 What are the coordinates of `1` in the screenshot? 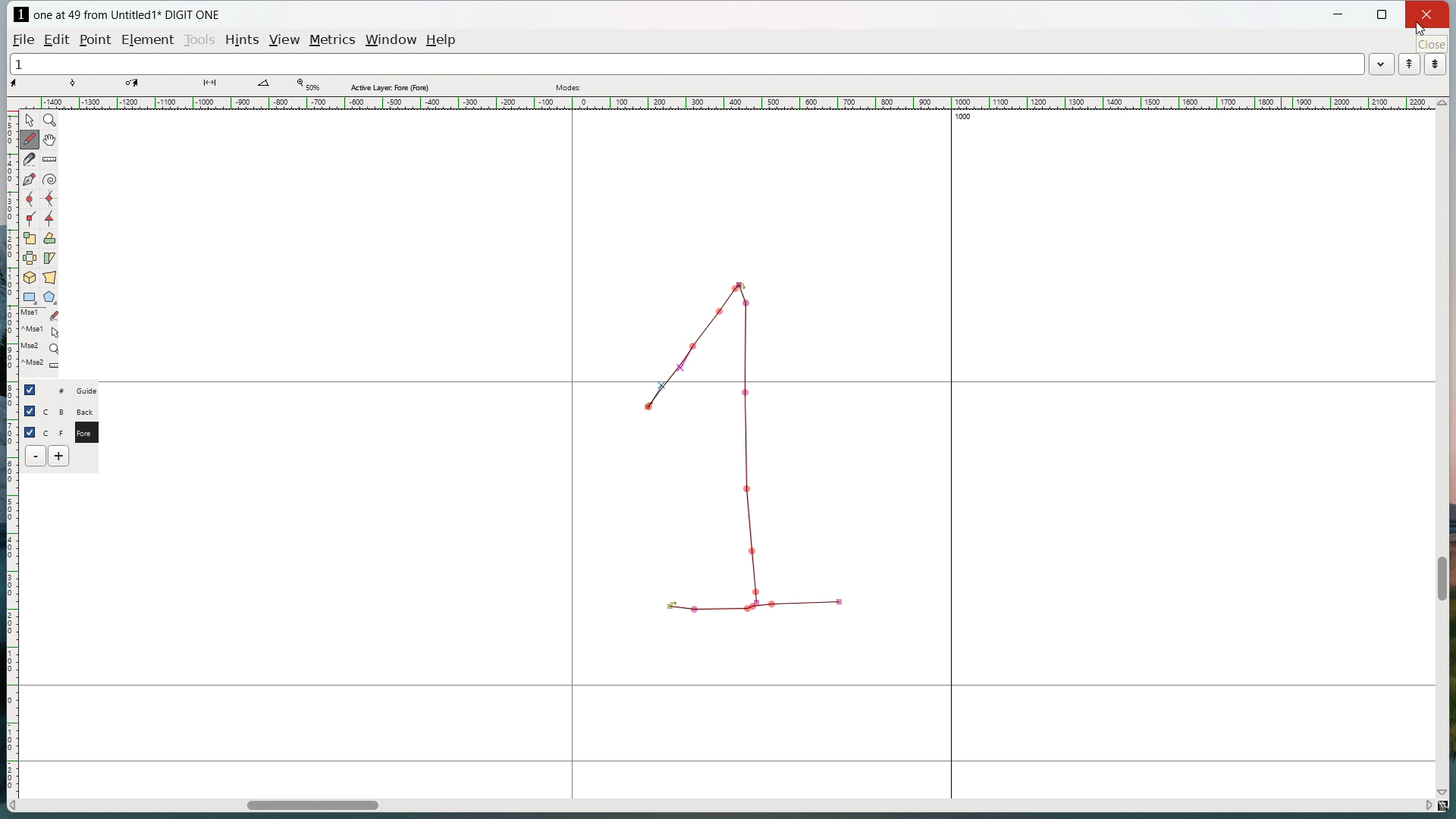 It's located at (686, 63).